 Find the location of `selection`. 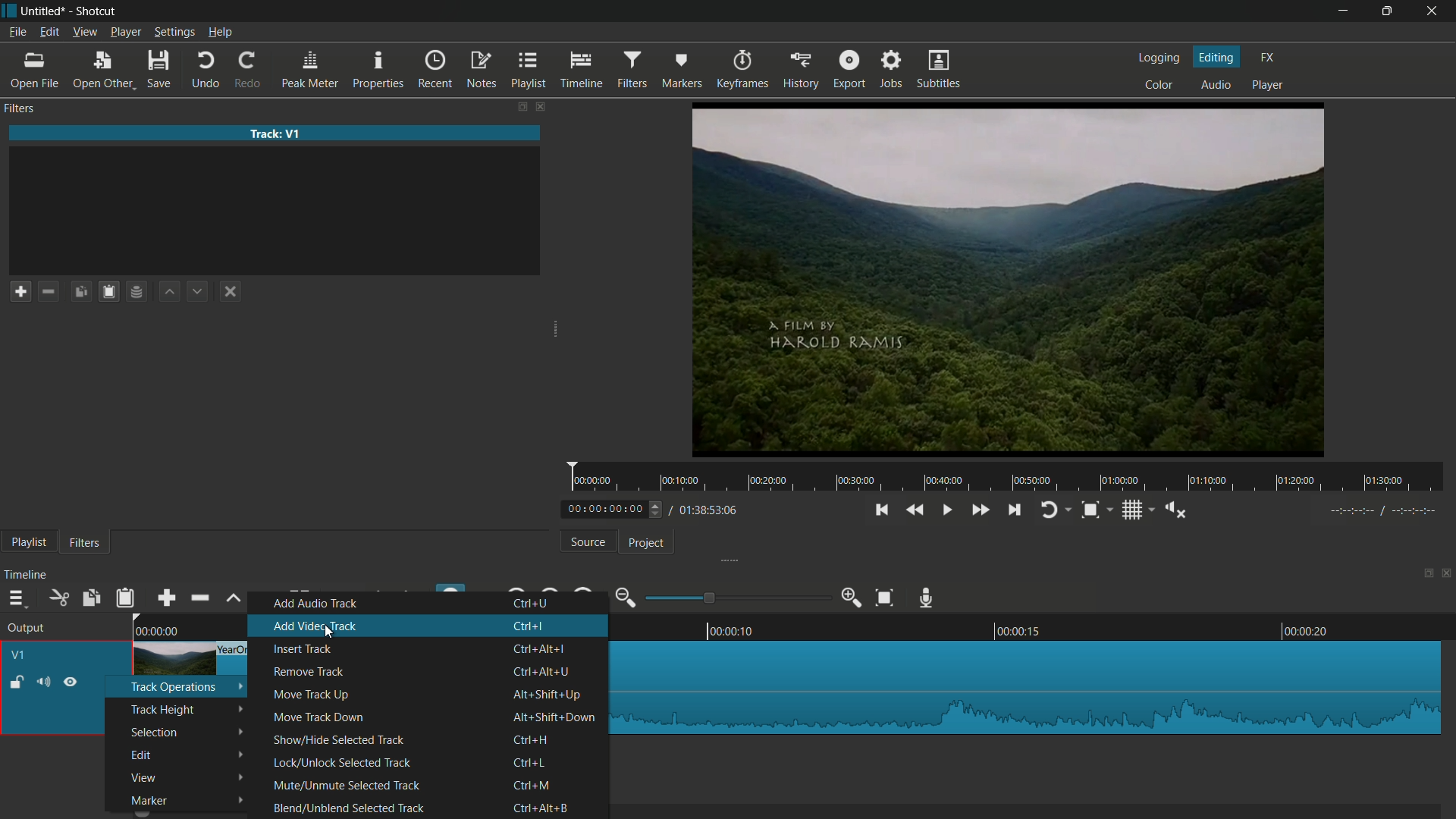

selection is located at coordinates (153, 733).